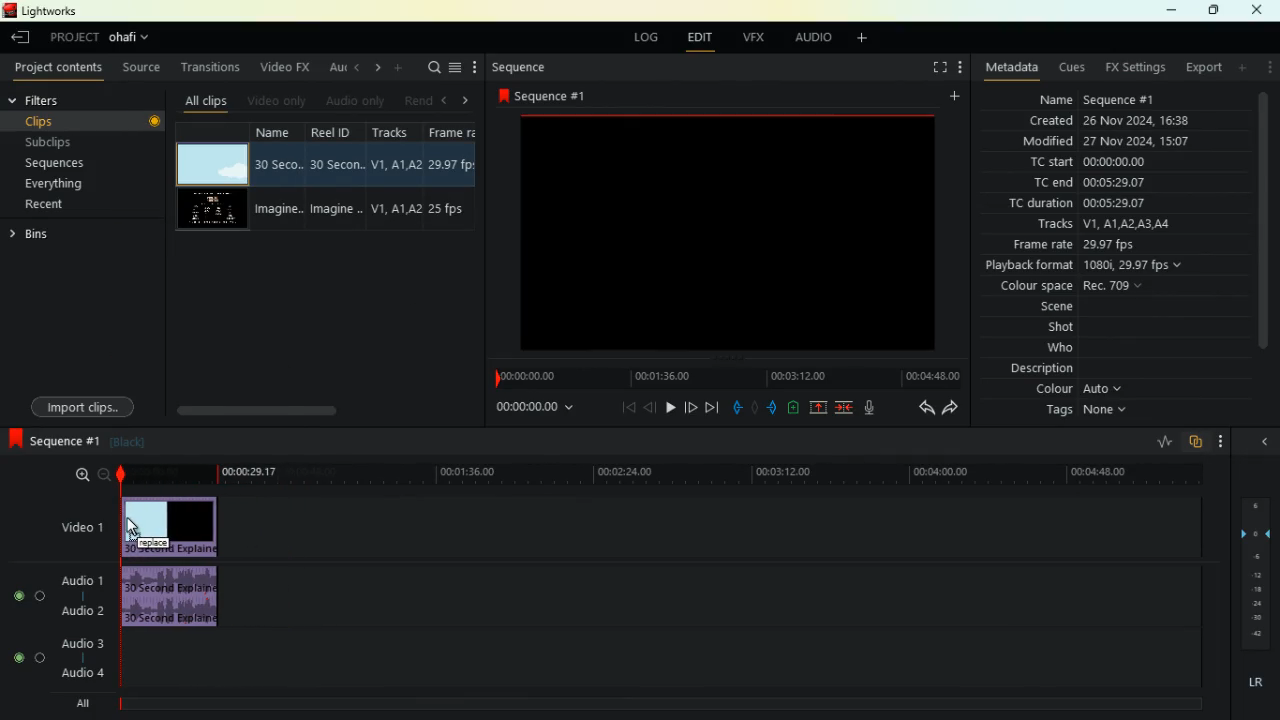 Image resolution: width=1280 pixels, height=720 pixels. I want to click on minimize, so click(1174, 11).